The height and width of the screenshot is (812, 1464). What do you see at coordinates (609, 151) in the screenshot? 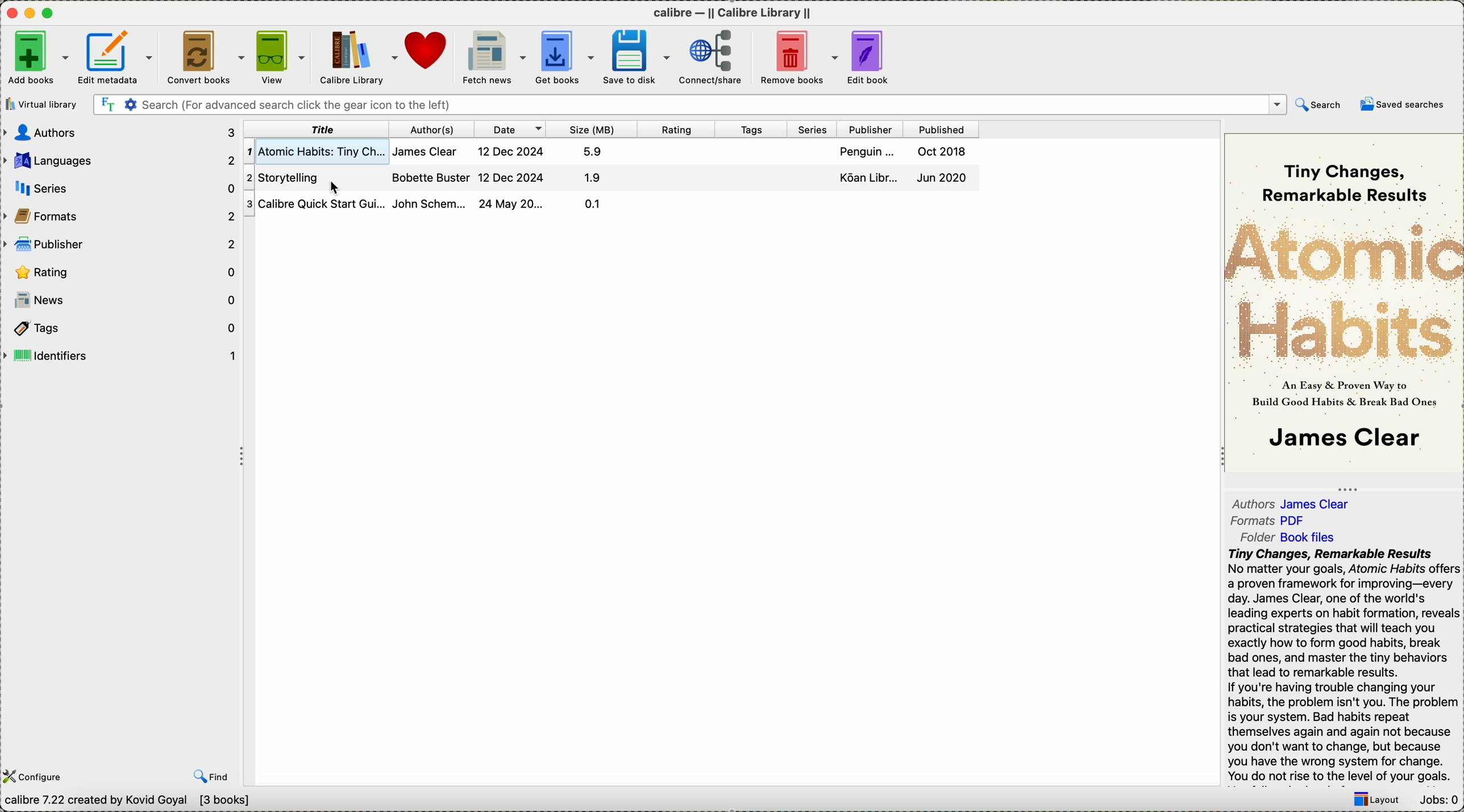
I see `first book` at bounding box center [609, 151].